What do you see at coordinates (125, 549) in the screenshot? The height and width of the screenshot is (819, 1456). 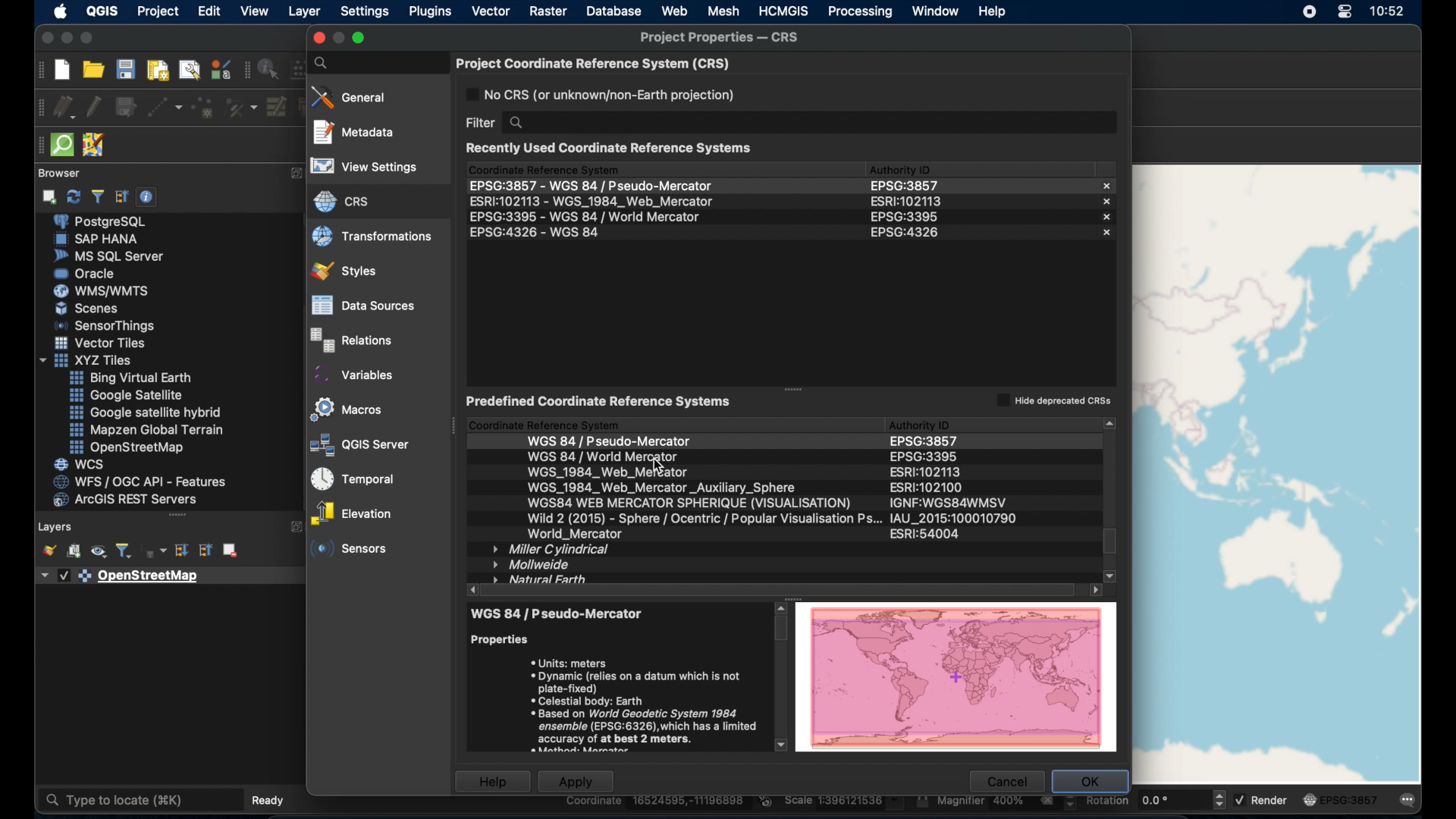 I see `filter legend` at bounding box center [125, 549].